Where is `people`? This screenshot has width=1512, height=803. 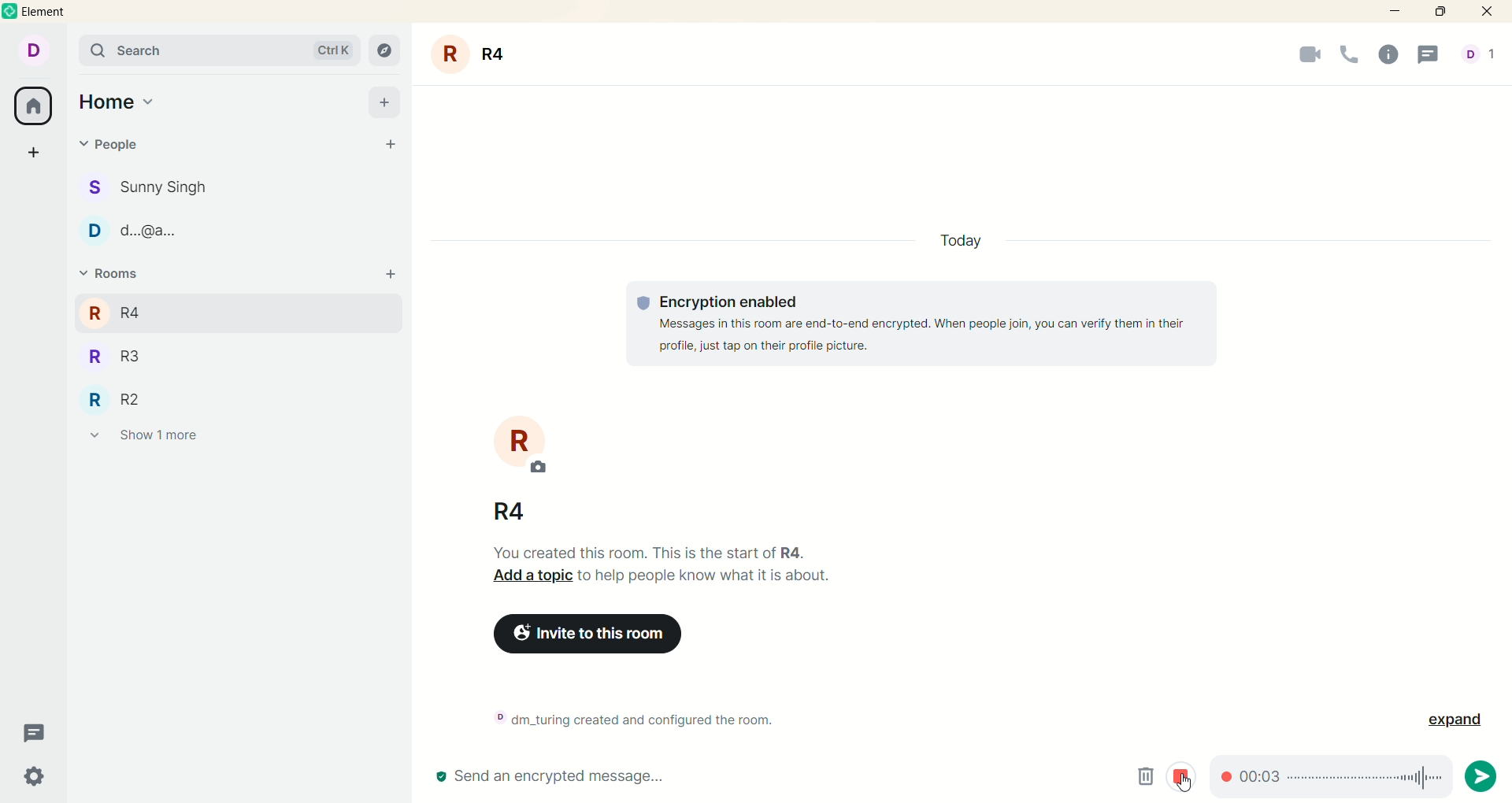
people is located at coordinates (115, 144).